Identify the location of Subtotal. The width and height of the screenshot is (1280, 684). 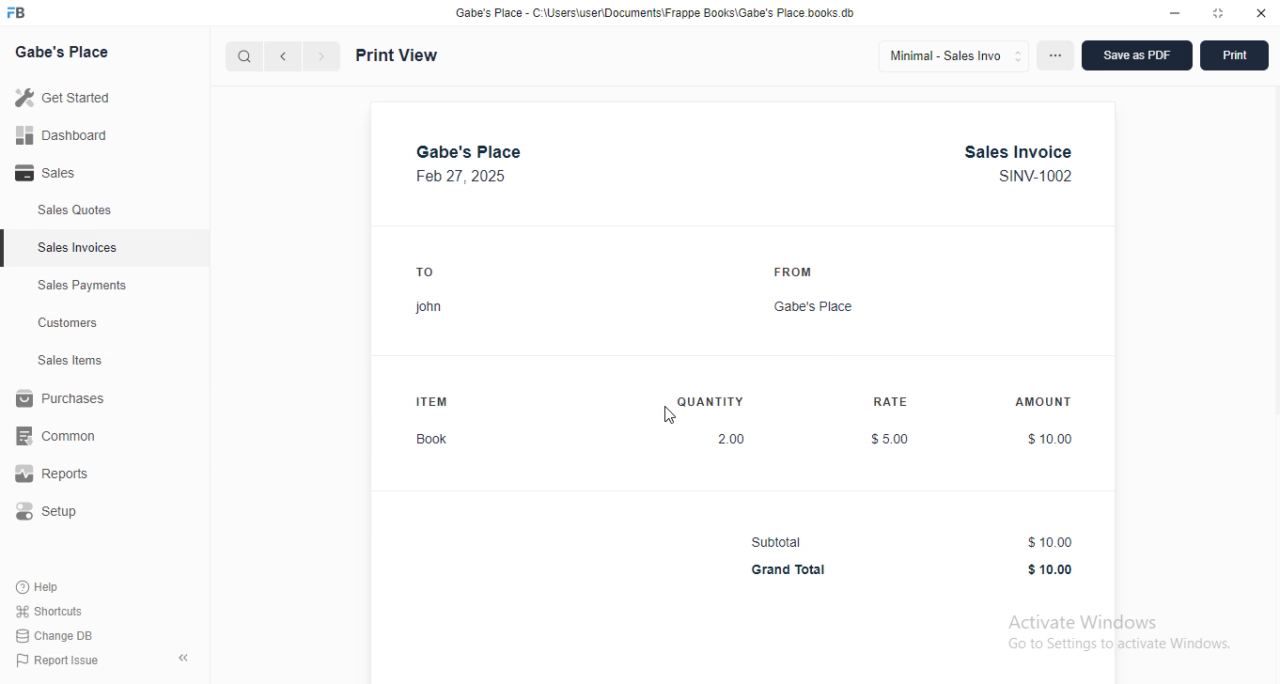
(776, 542).